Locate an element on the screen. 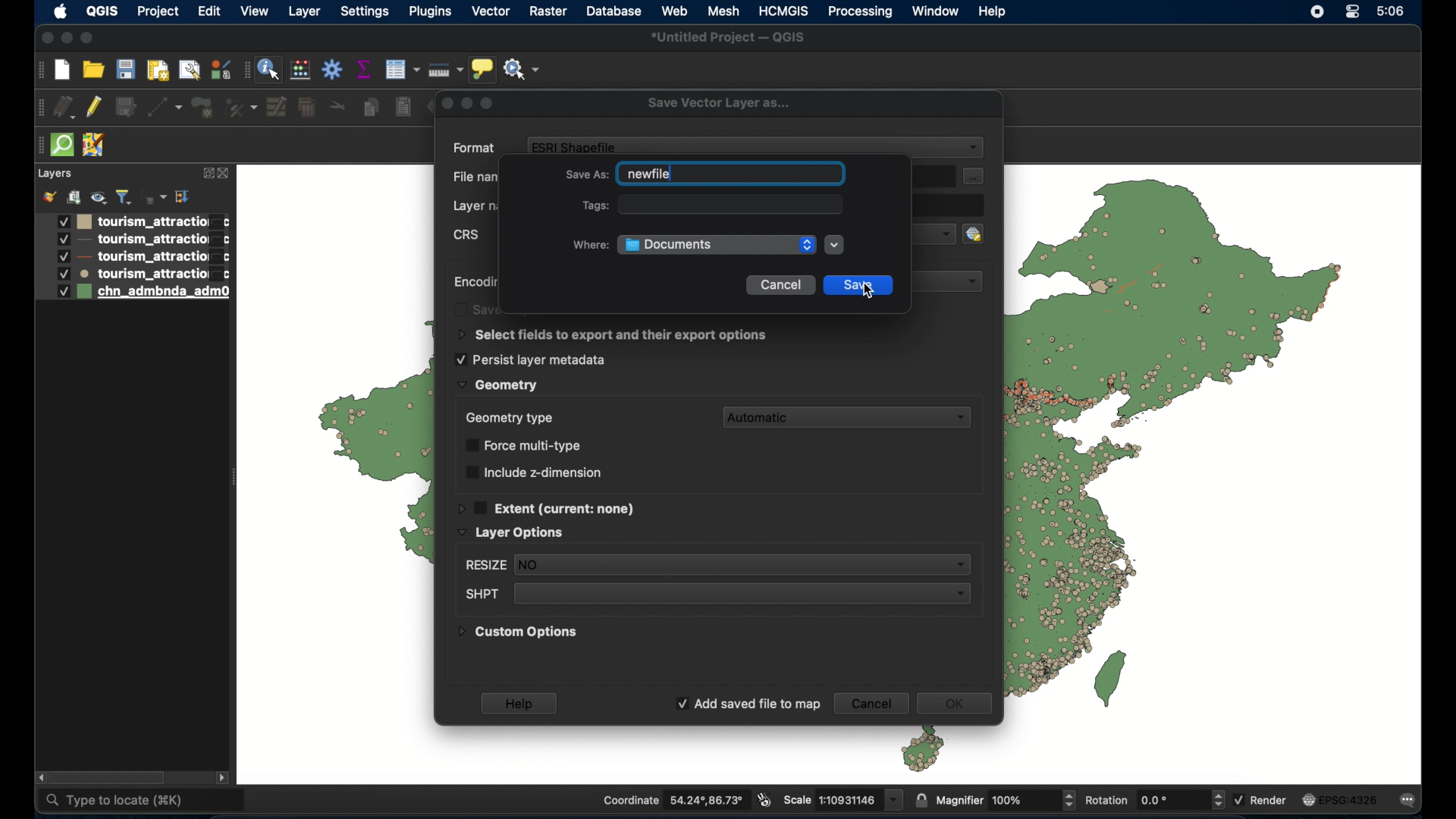 This screenshot has height=819, width=1456. cancel is located at coordinates (780, 286).